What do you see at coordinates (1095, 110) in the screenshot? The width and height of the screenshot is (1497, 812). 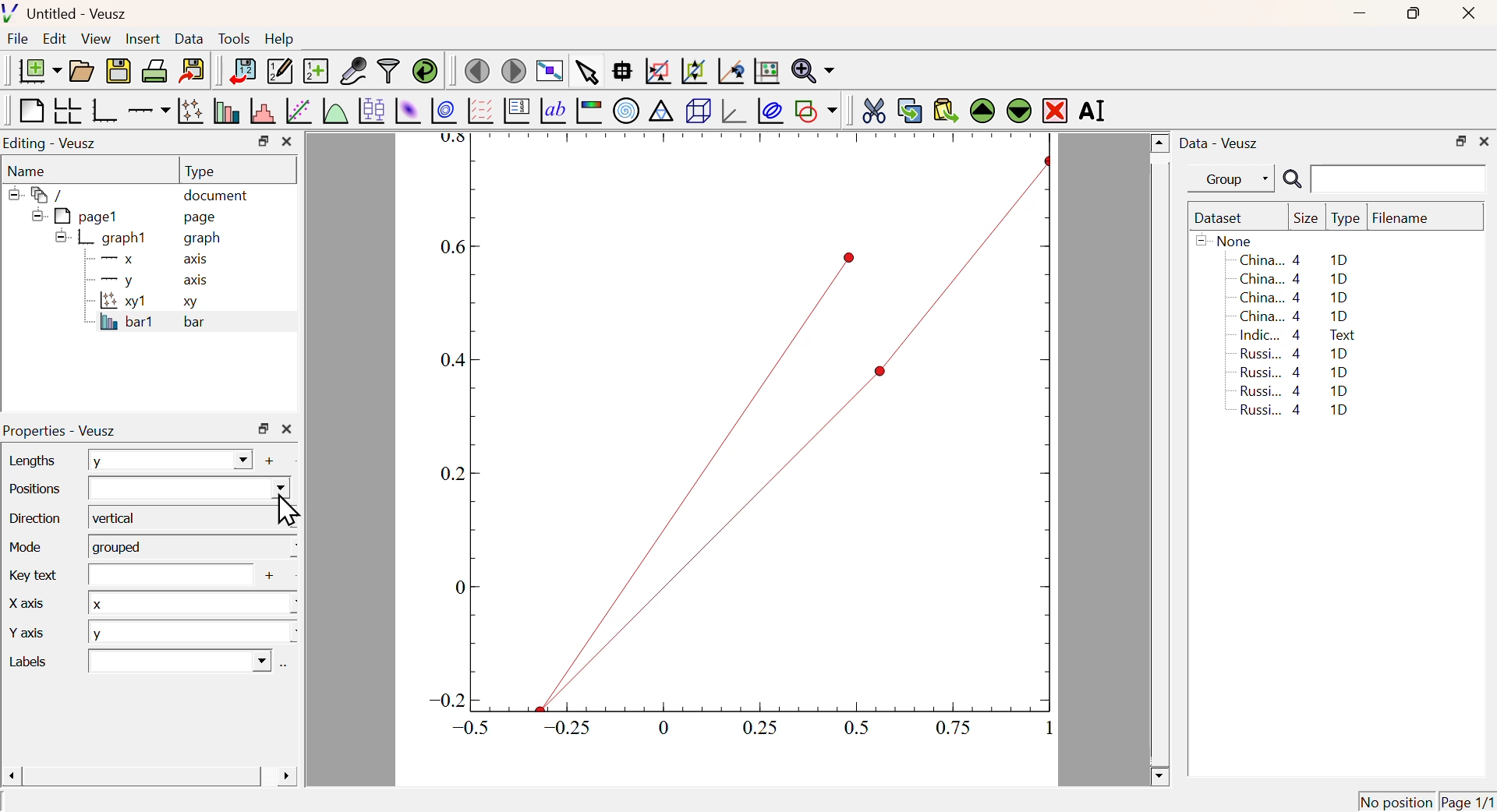 I see `Rename` at bounding box center [1095, 110].